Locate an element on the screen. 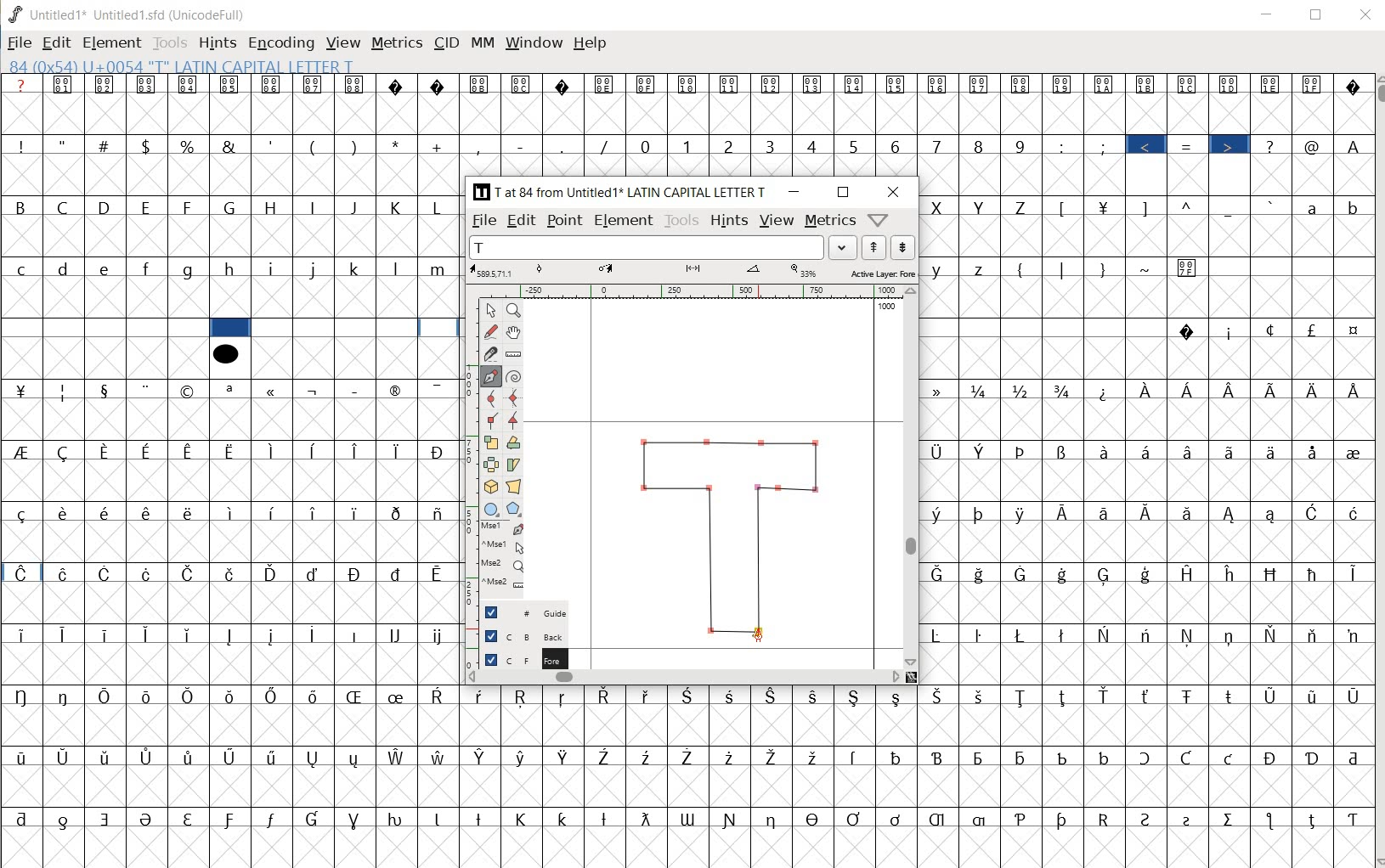 Image resolution: width=1385 pixels, height=868 pixels. 3 is located at coordinates (773, 147).